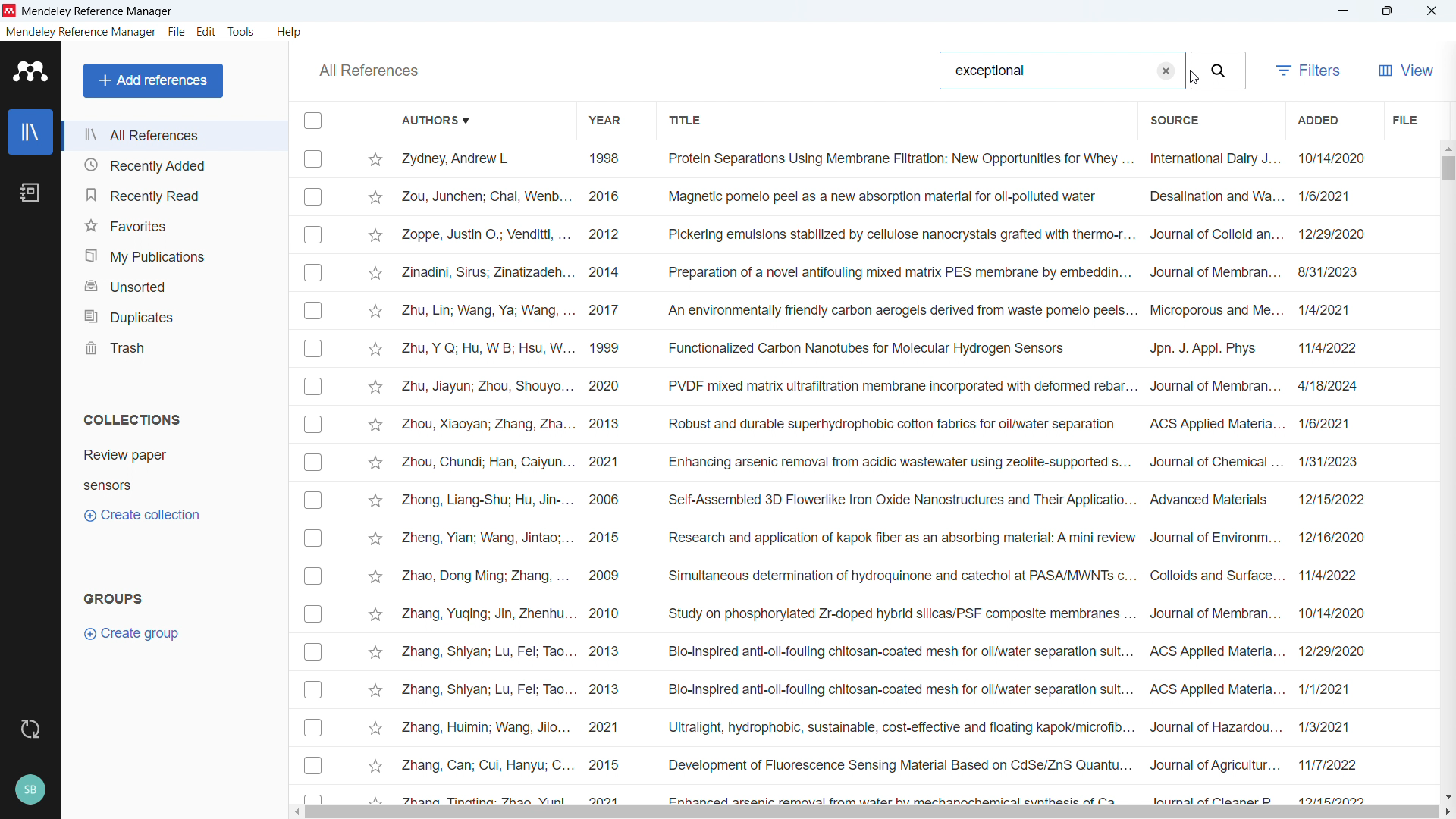 This screenshot has height=819, width=1456. What do you see at coordinates (135, 633) in the screenshot?
I see `Create group ` at bounding box center [135, 633].